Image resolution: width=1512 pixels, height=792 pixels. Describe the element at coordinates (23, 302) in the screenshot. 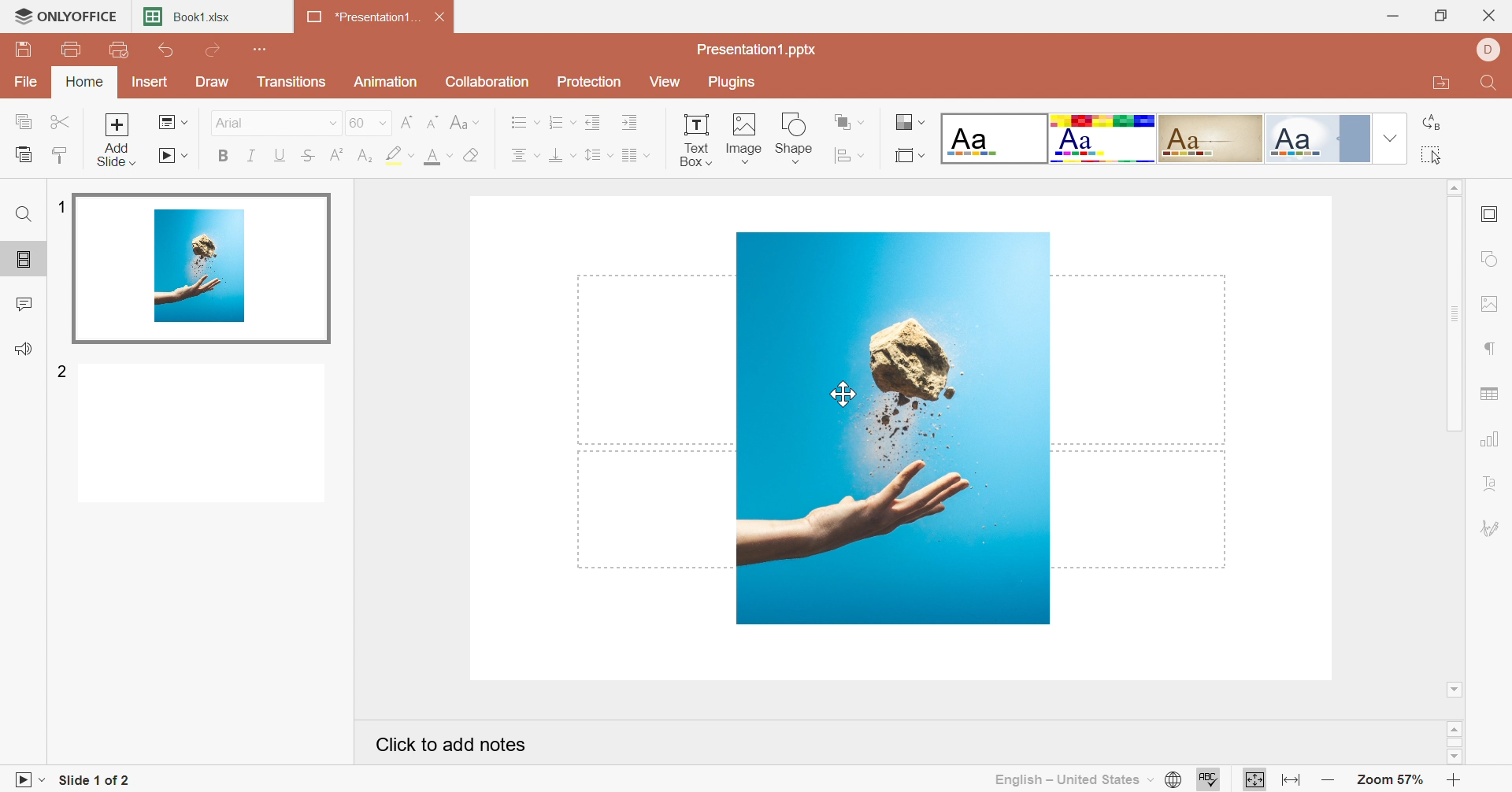

I see `Comments` at that location.